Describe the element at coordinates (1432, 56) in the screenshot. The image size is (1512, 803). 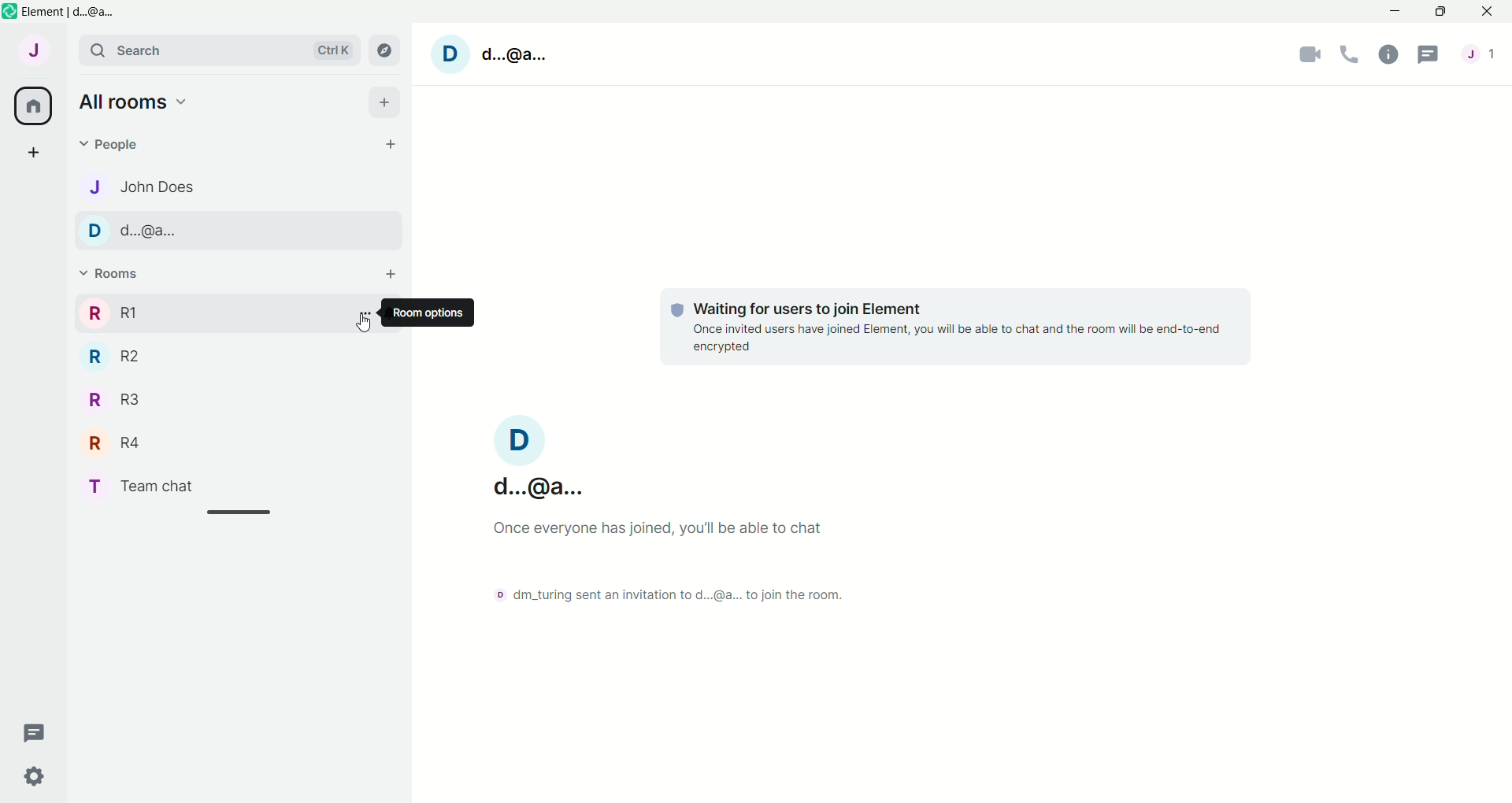
I see `Chat` at that location.